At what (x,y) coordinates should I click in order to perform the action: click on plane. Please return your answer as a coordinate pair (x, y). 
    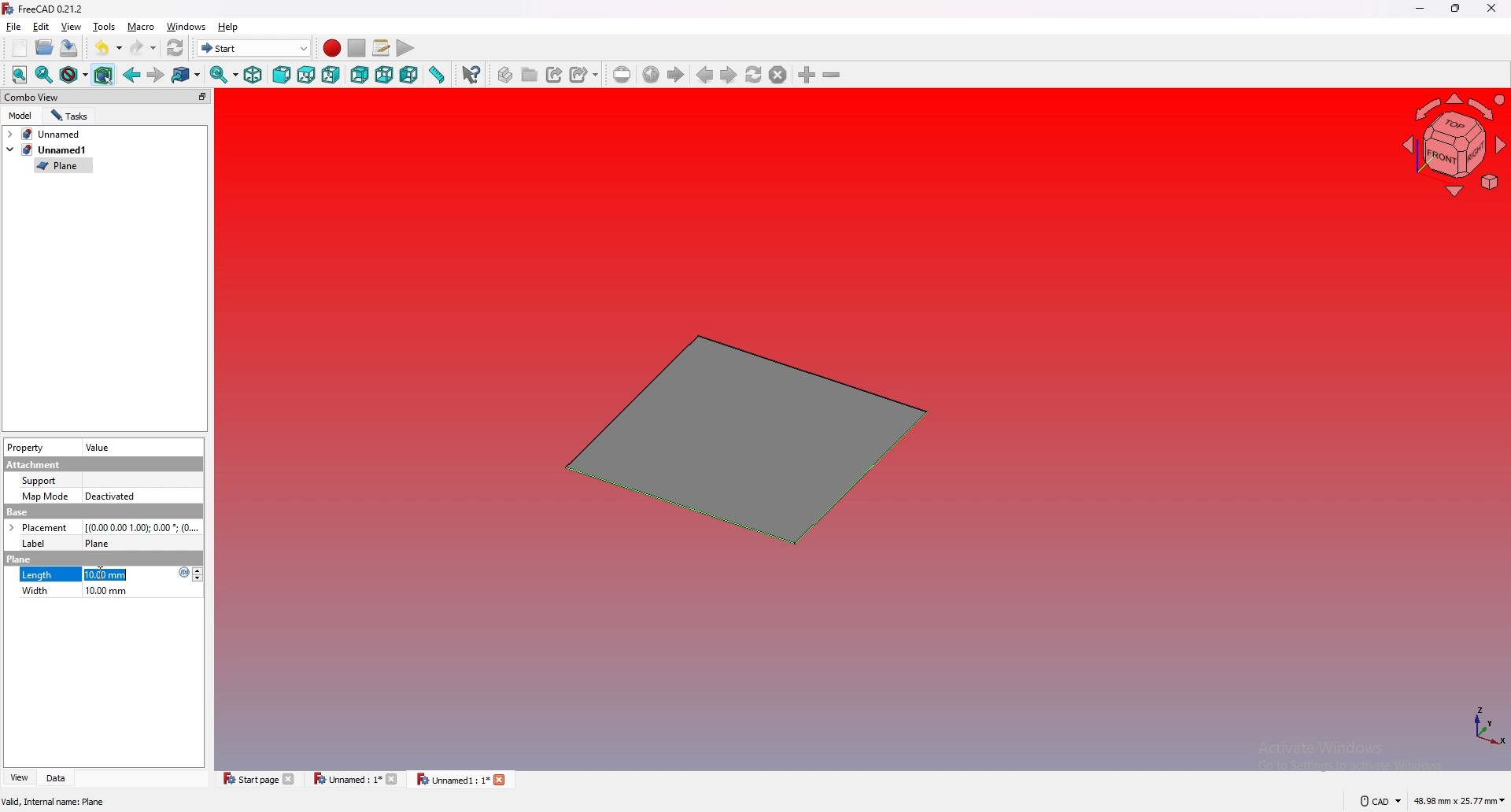
    Looking at the image, I should click on (19, 559).